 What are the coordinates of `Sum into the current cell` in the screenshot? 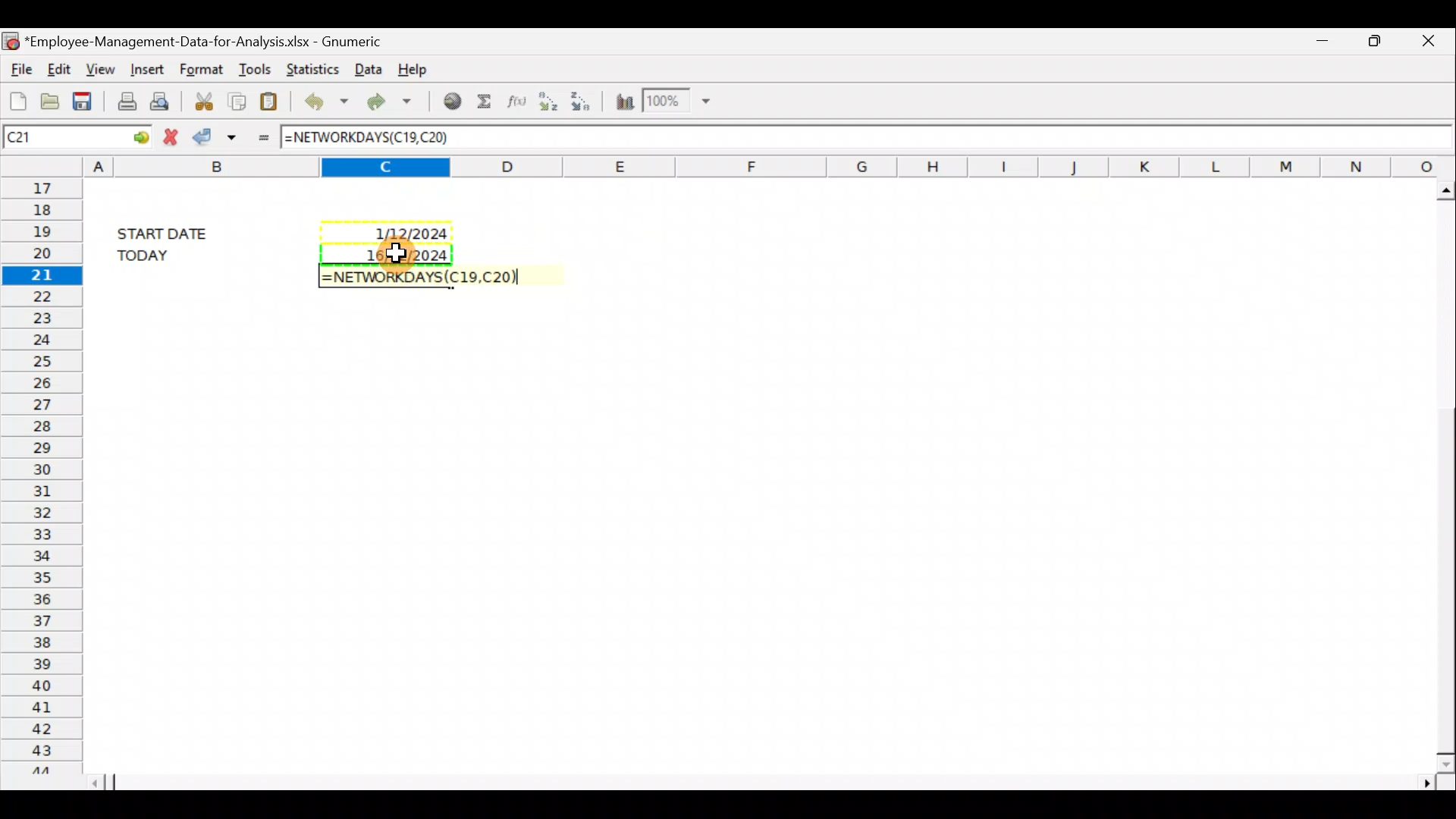 It's located at (484, 102).